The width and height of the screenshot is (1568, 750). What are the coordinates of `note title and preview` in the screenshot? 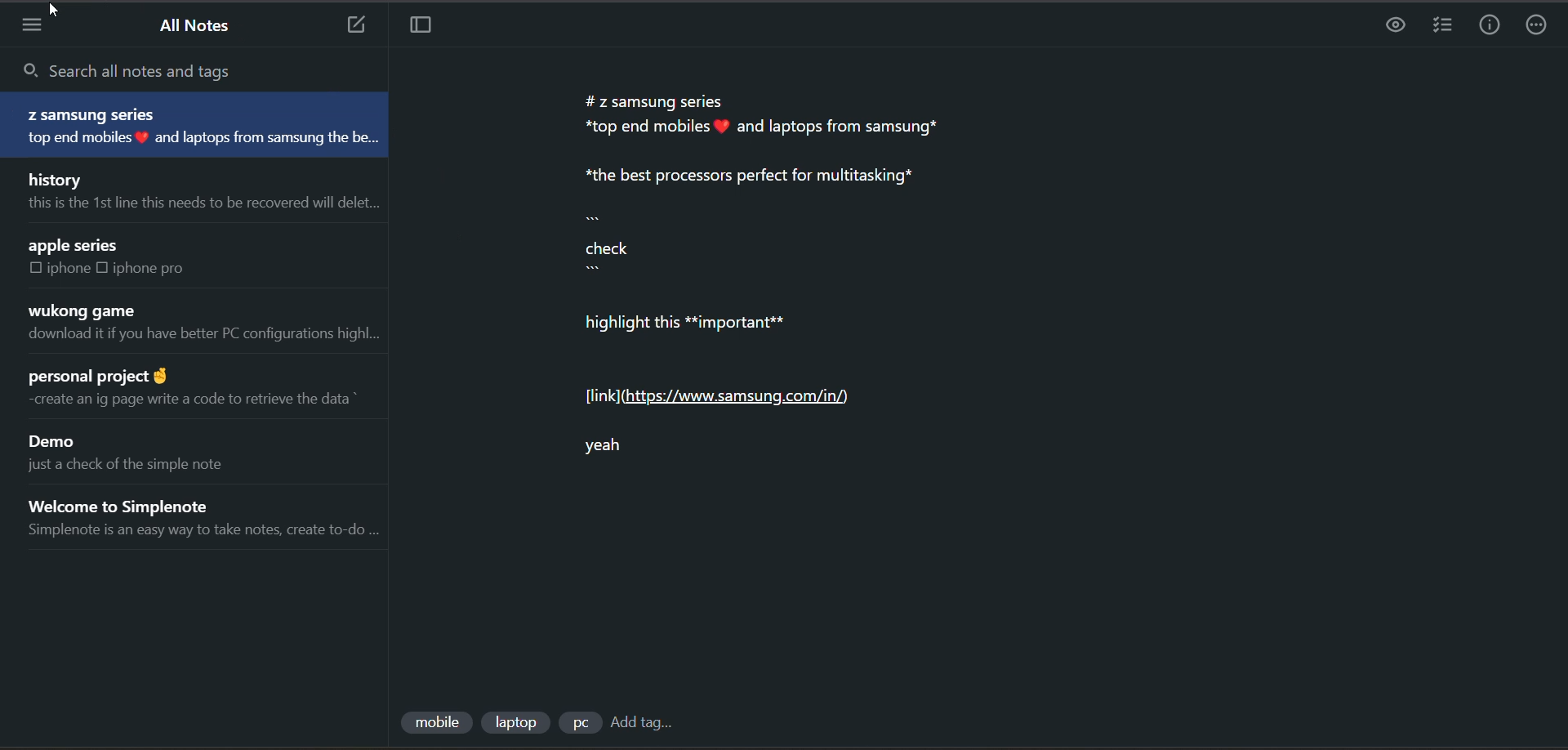 It's located at (198, 191).